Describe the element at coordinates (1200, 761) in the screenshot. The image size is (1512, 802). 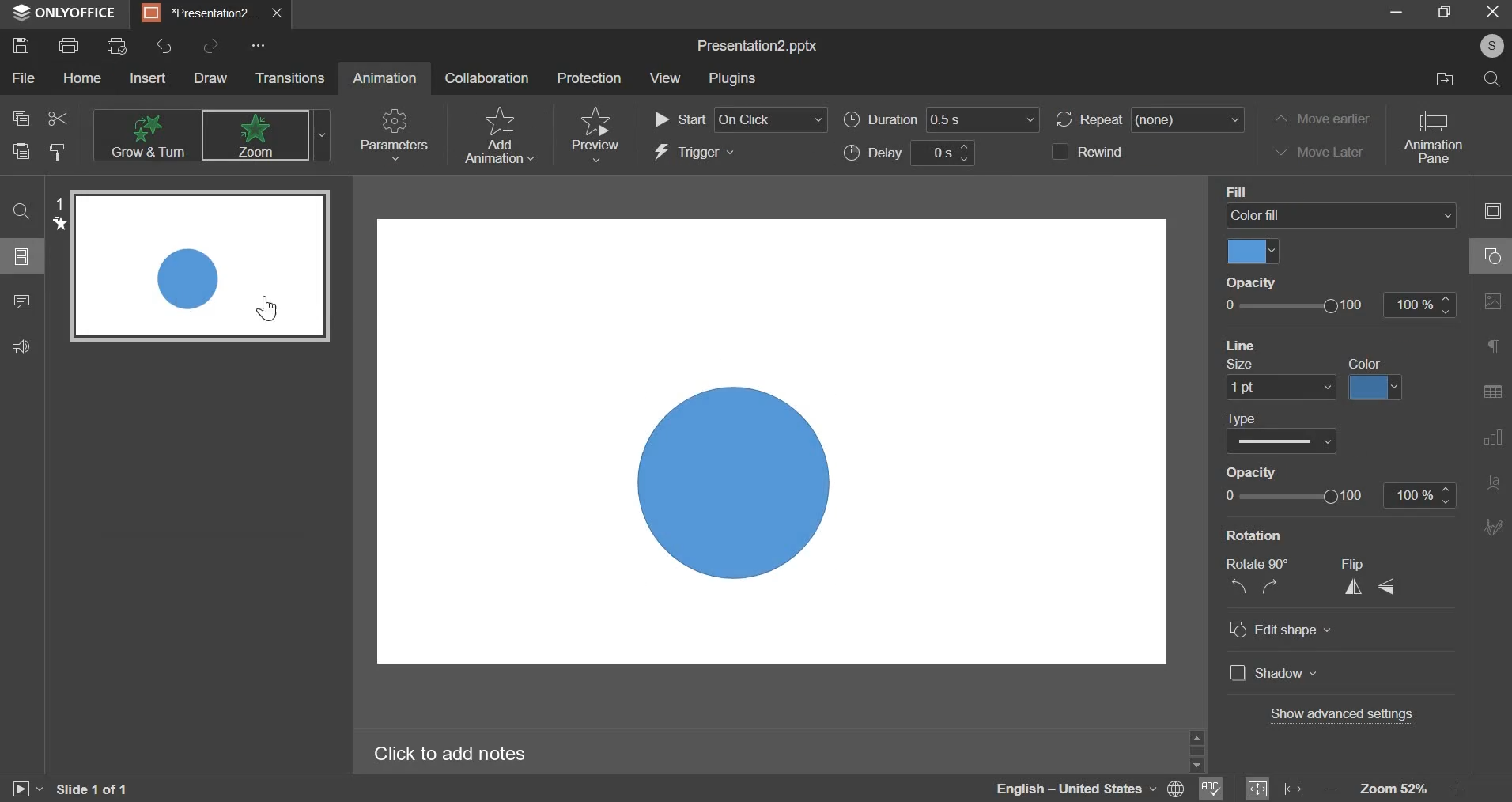
I see `` at that location.